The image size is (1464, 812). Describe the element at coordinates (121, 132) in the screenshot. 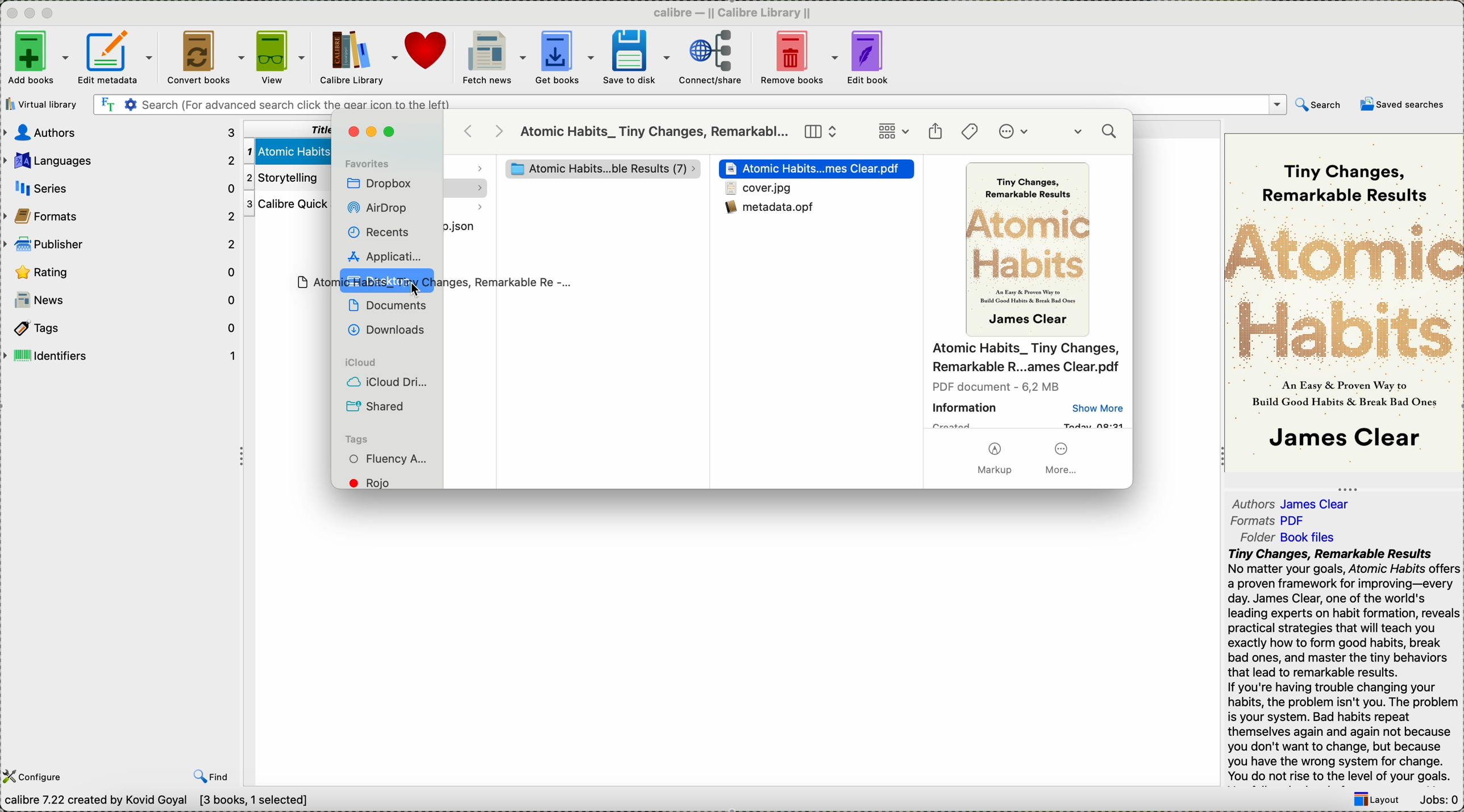

I see `authors` at that location.